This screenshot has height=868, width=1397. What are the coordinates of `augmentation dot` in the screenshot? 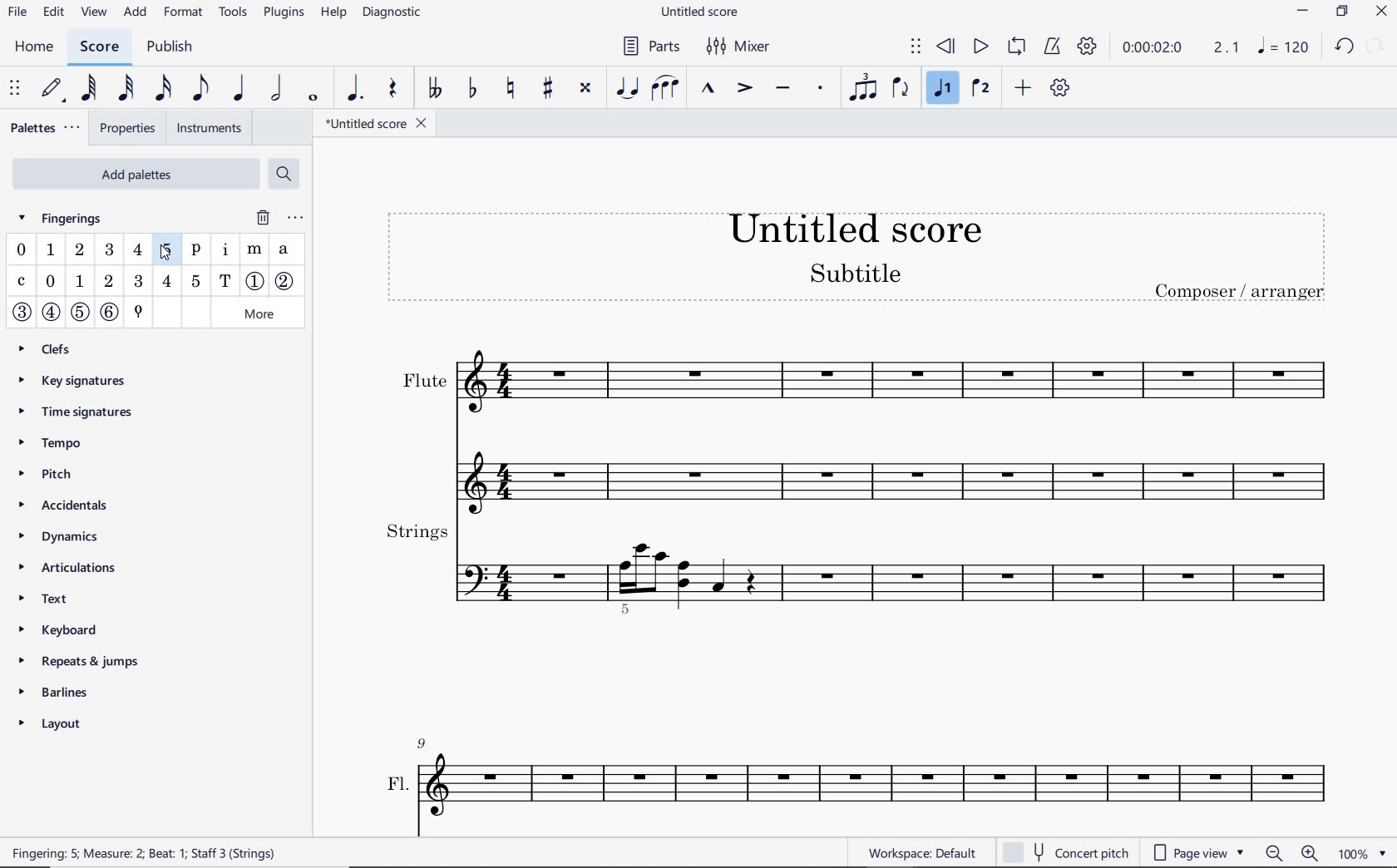 It's located at (358, 86).